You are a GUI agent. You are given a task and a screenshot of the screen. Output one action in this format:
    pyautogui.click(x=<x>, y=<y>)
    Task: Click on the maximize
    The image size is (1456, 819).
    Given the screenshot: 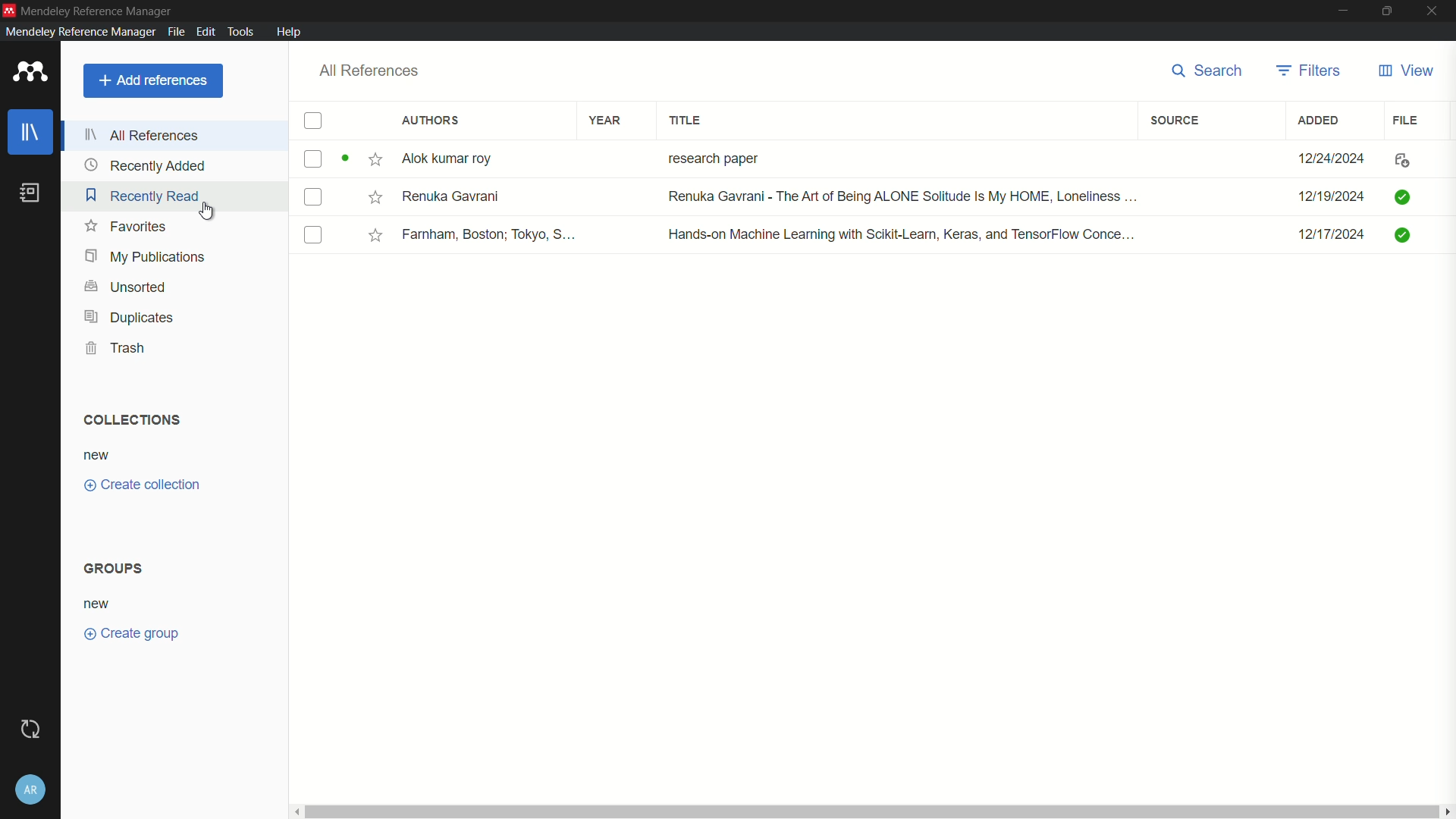 What is the action you would take?
    pyautogui.click(x=1386, y=10)
    